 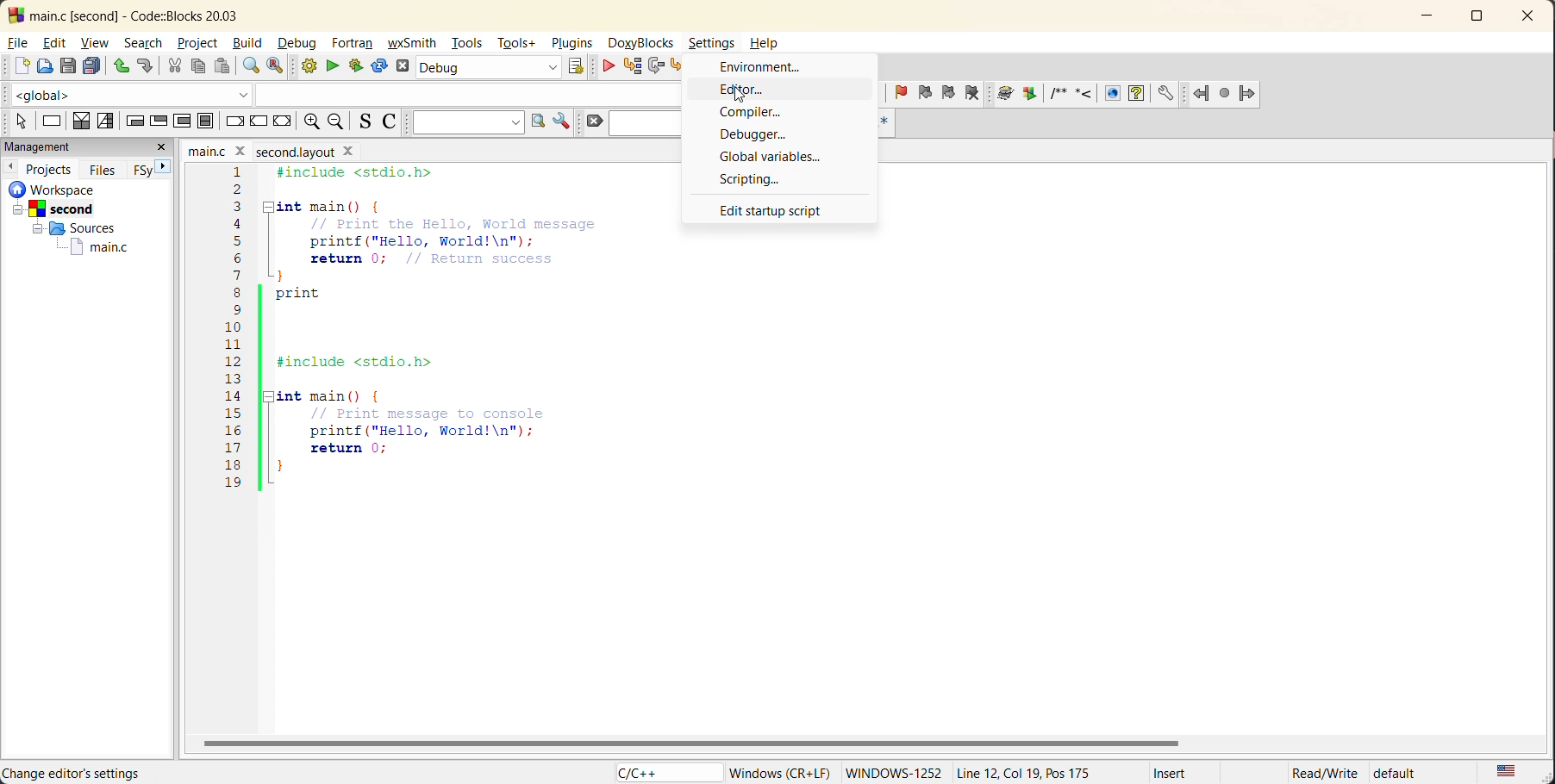 What do you see at coordinates (43, 66) in the screenshot?
I see `open` at bounding box center [43, 66].